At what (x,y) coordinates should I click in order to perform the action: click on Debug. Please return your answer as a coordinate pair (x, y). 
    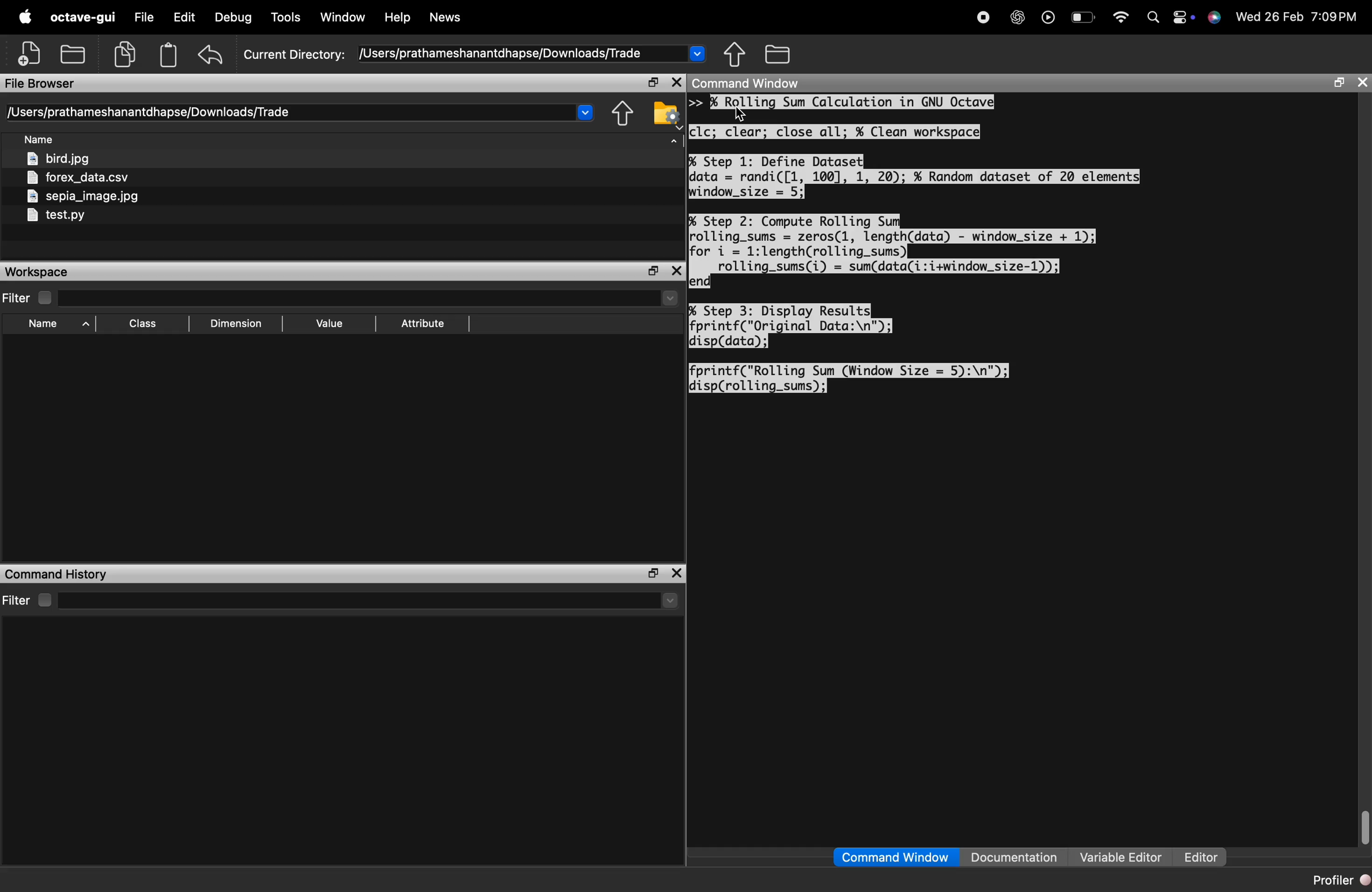
    Looking at the image, I should click on (233, 17).